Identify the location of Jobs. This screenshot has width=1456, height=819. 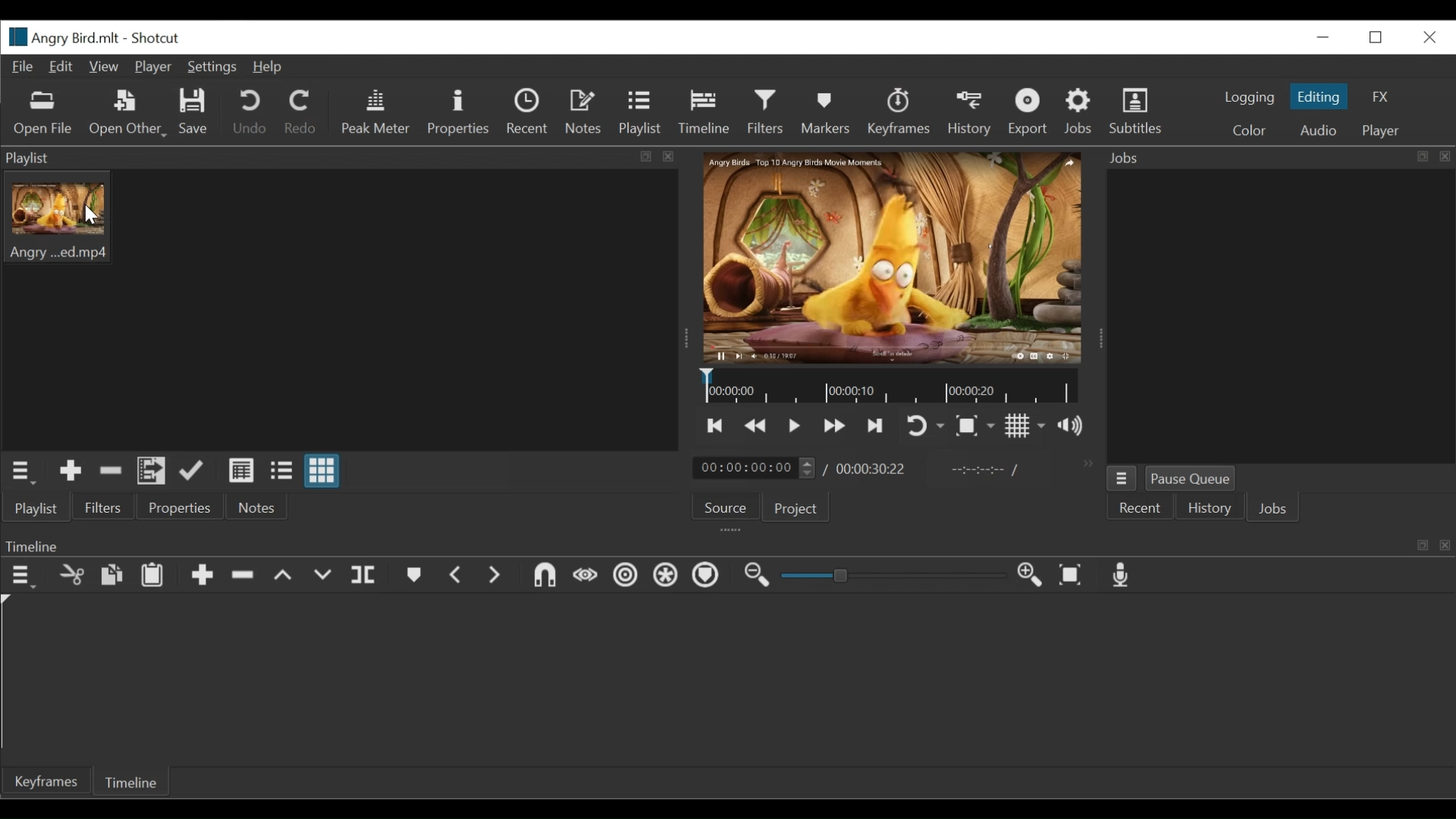
(1276, 510).